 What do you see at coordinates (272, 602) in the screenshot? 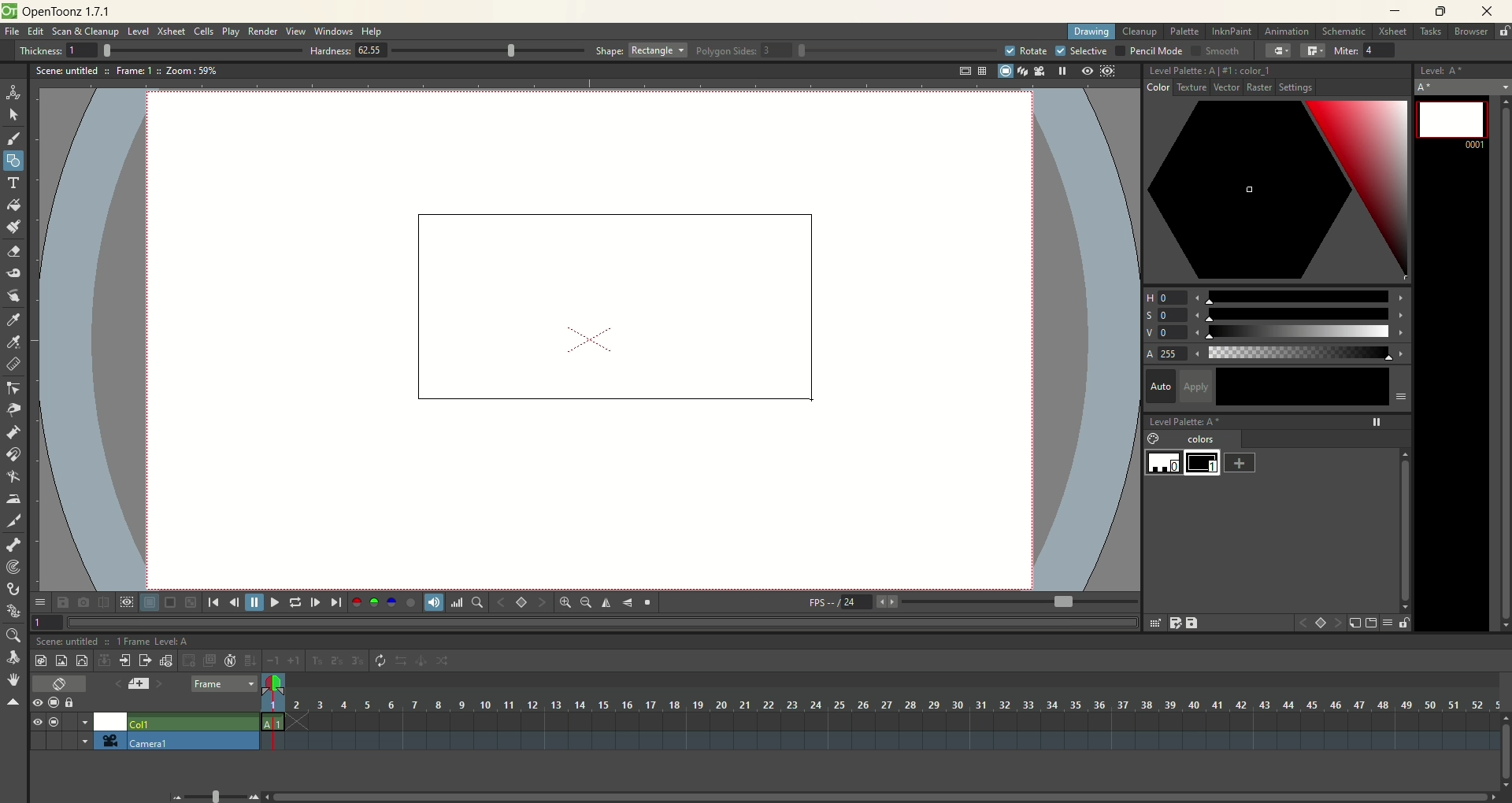
I see `play` at bounding box center [272, 602].